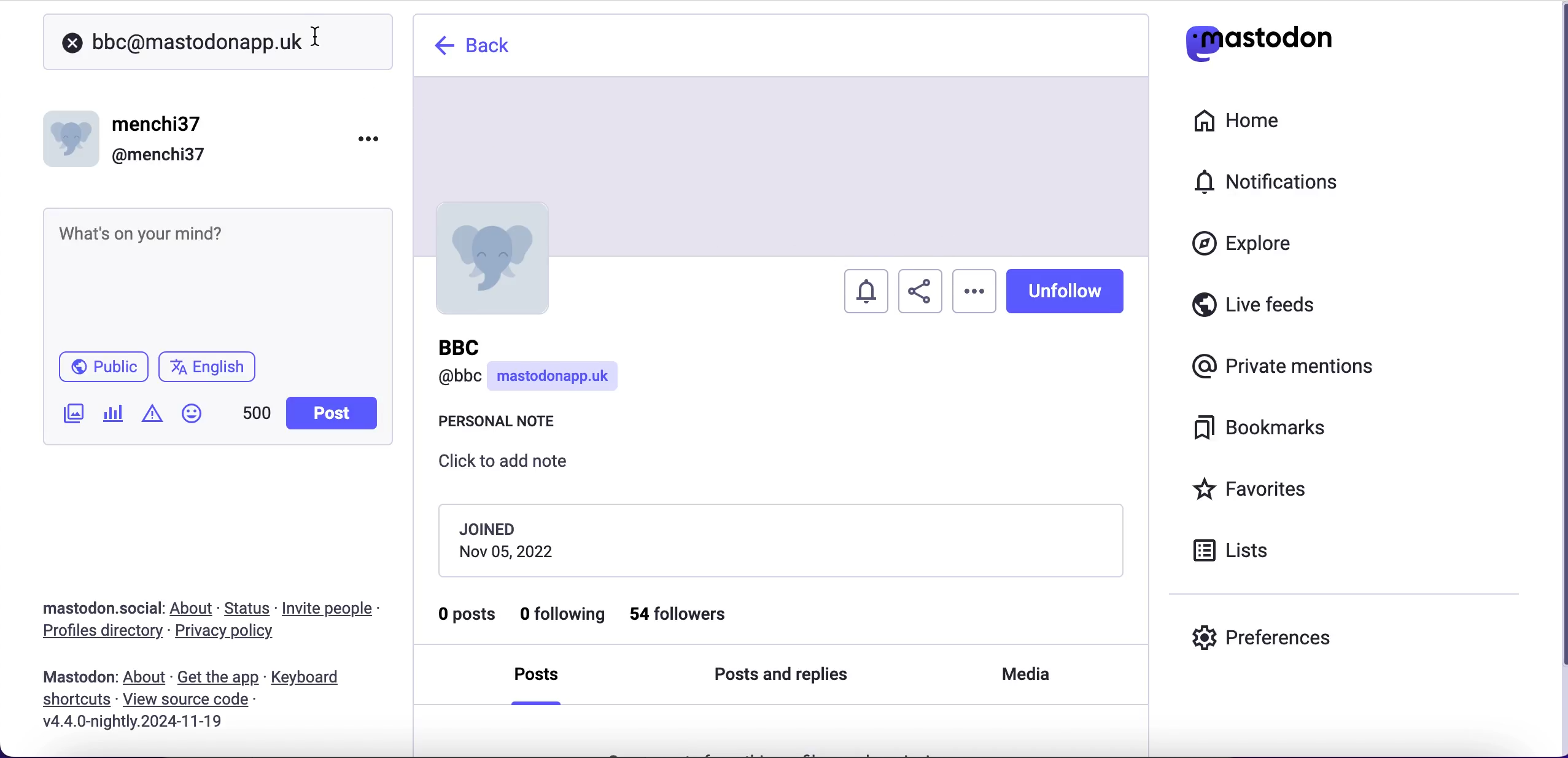 This screenshot has width=1568, height=758. I want to click on private mentions, so click(1287, 363).